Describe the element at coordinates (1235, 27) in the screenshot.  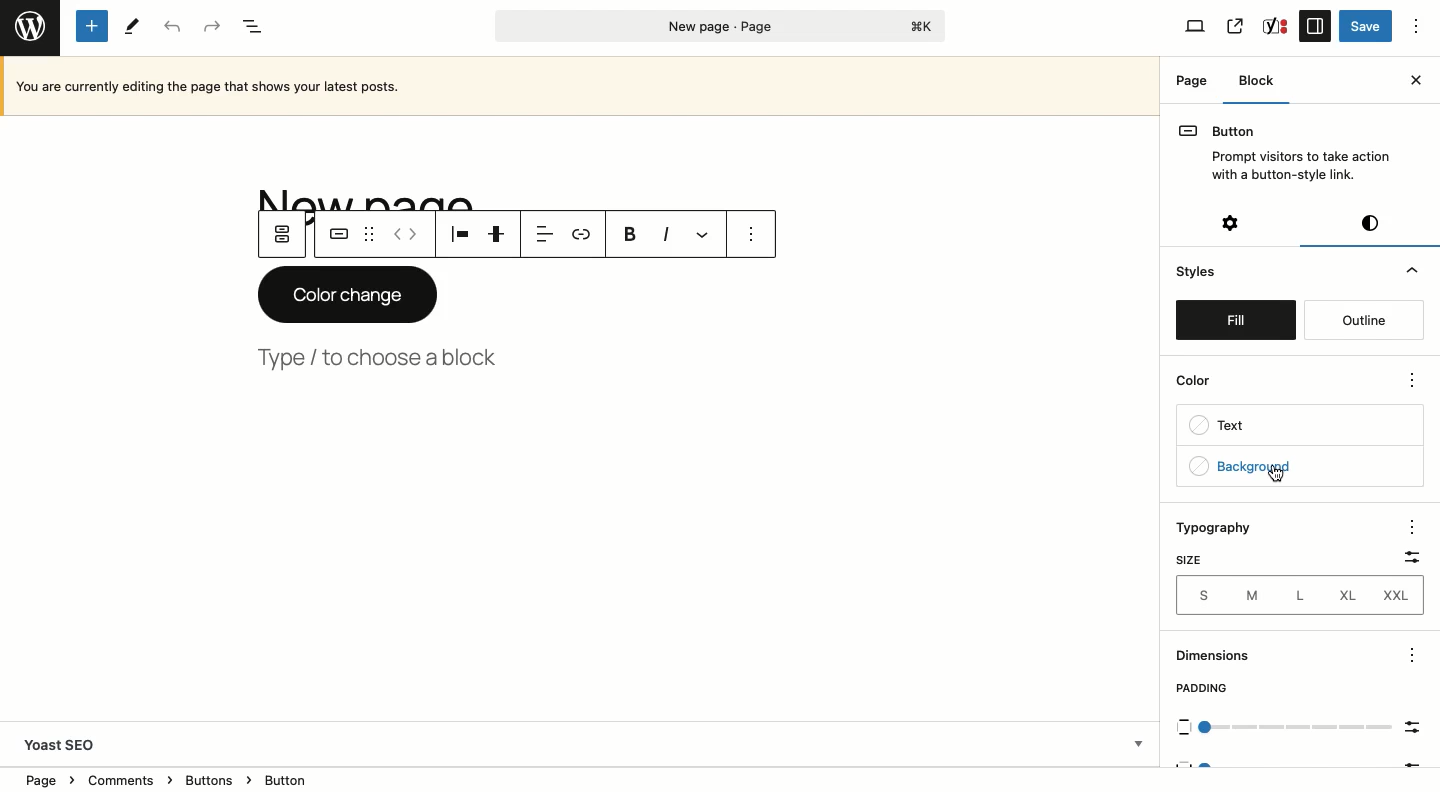
I see `View page` at that location.